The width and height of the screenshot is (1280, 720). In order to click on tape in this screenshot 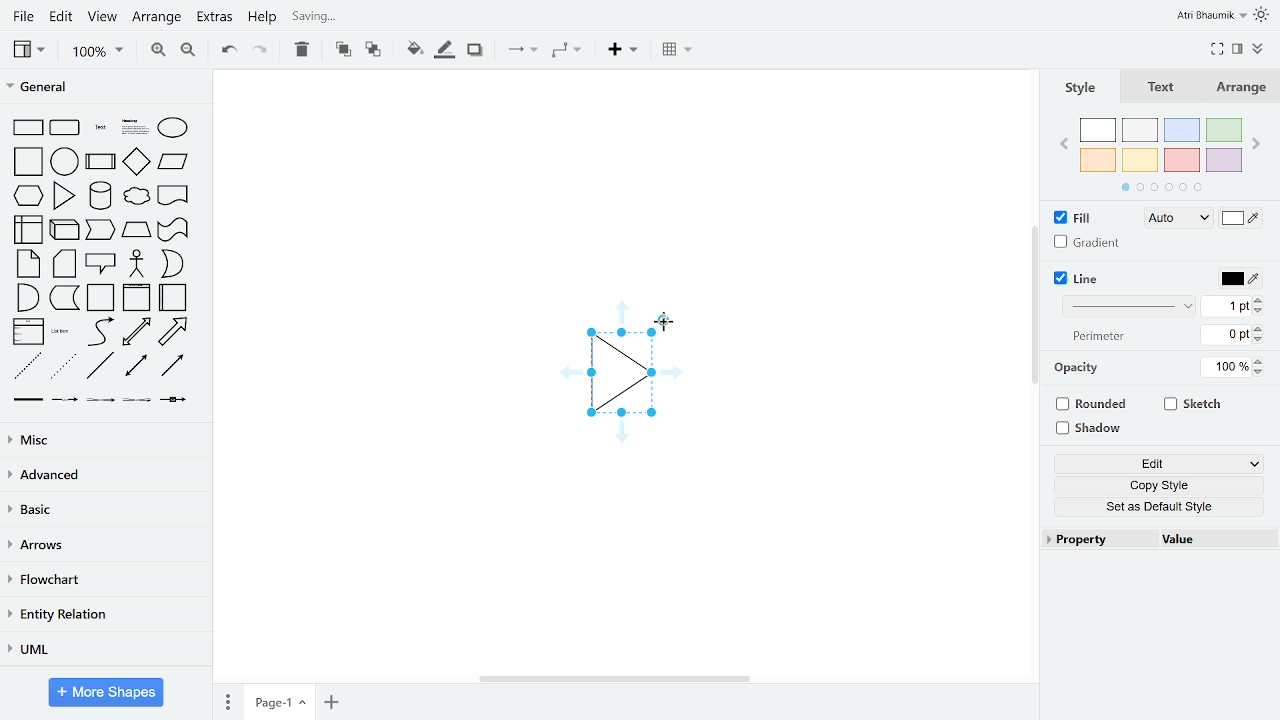, I will do `click(171, 232)`.